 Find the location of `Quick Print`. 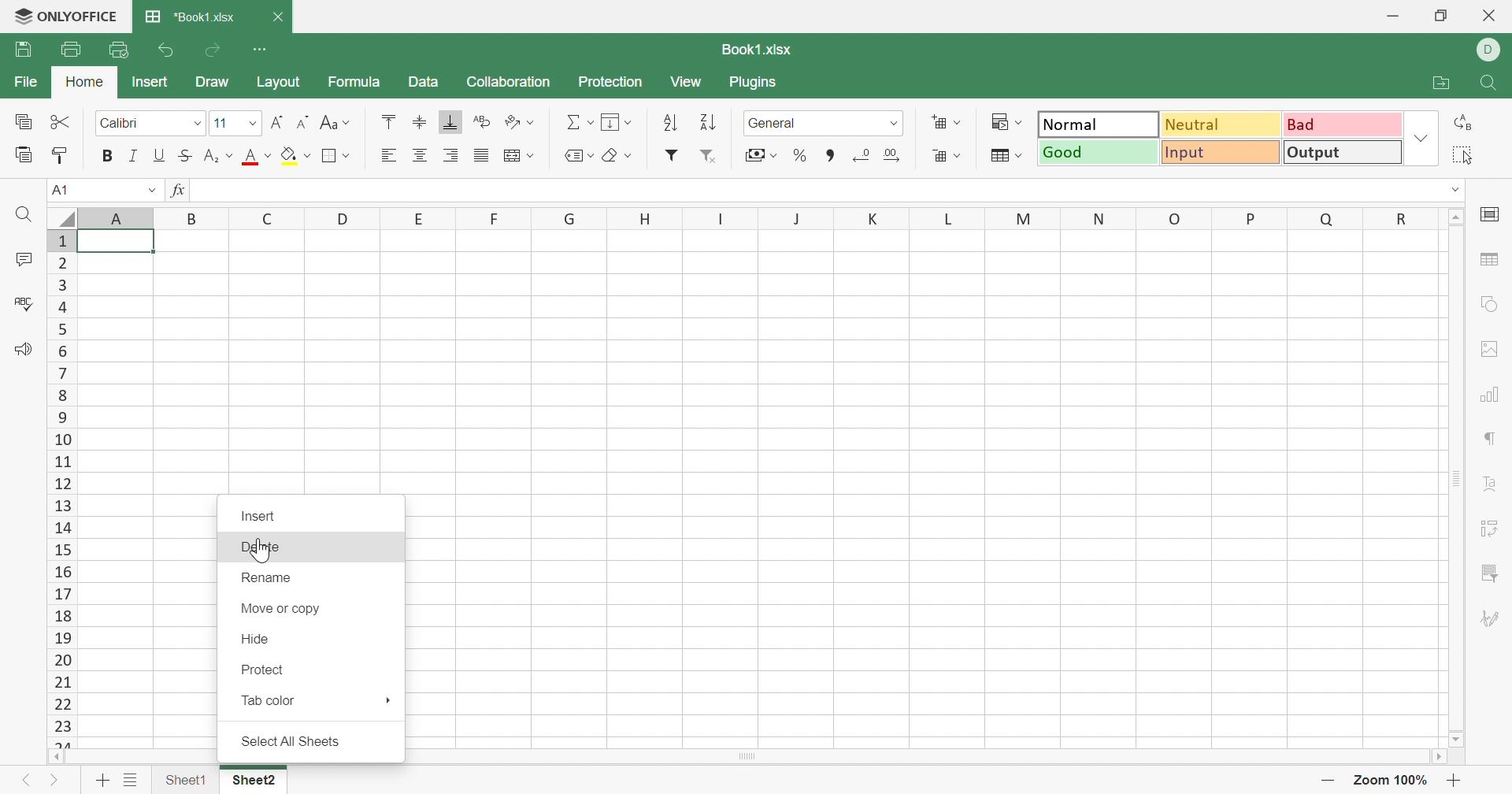

Quick Print is located at coordinates (117, 48).